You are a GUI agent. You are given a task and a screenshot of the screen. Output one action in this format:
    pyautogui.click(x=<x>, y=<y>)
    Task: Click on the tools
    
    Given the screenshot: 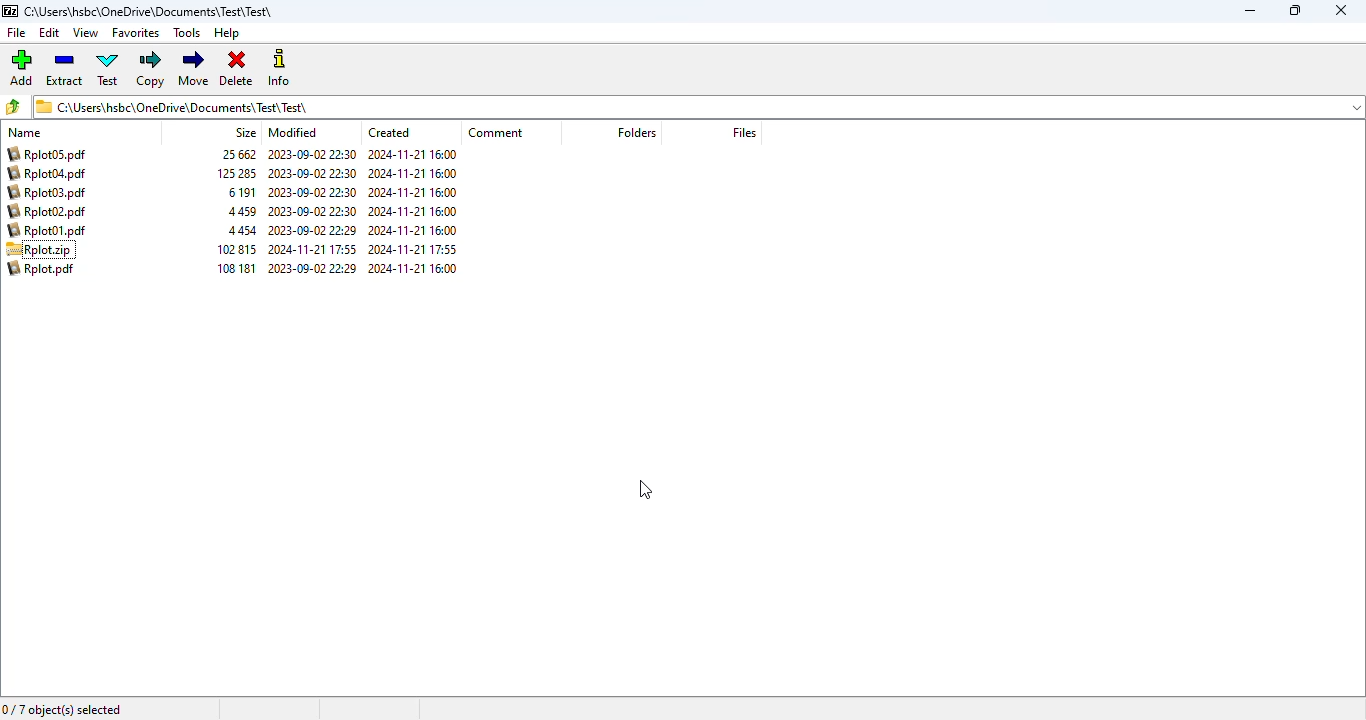 What is the action you would take?
    pyautogui.click(x=186, y=33)
    